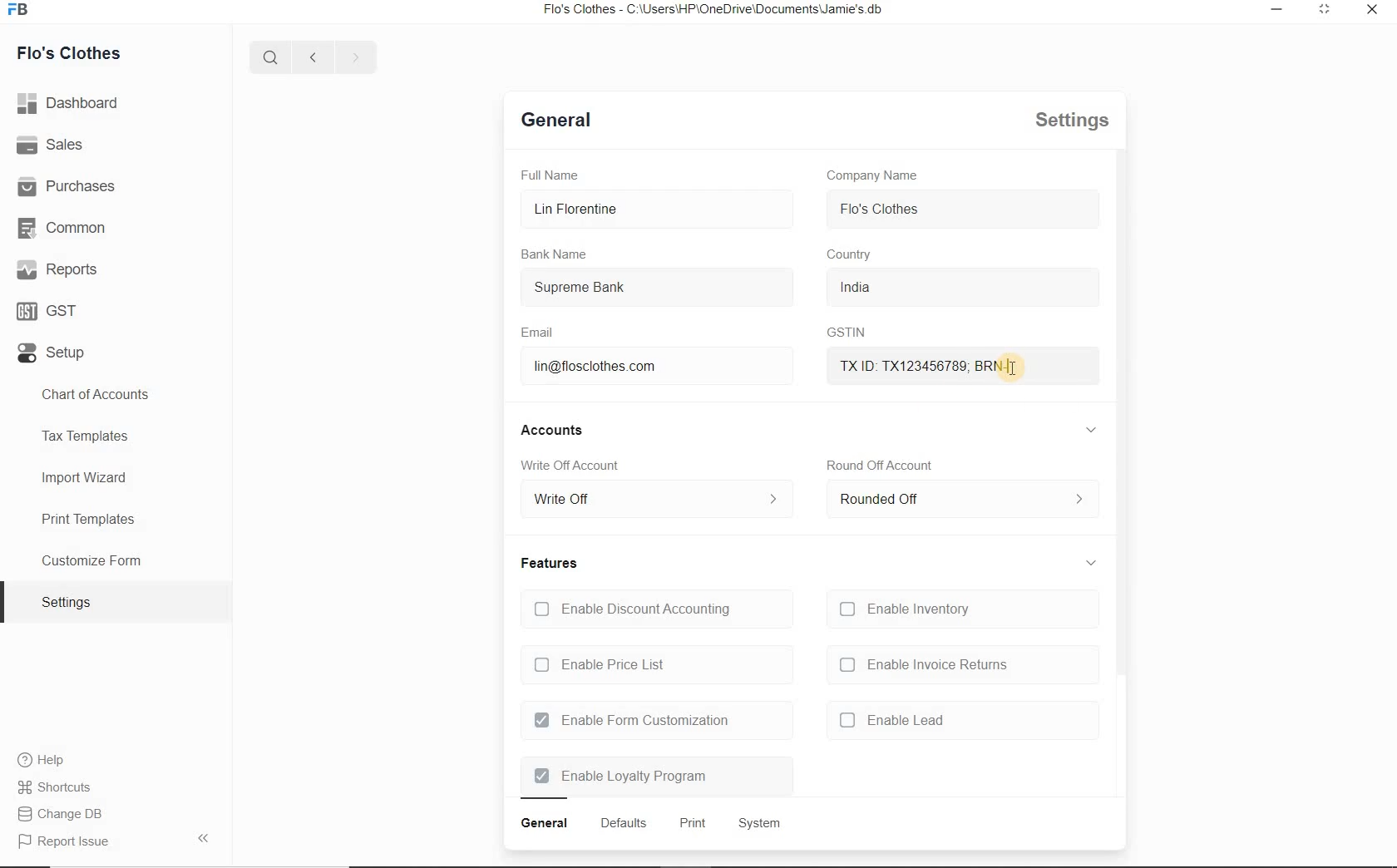 This screenshot has height=868, width=1397. Describe the element at coordinates (93, 559) in the screenshot. I see `Customize Form` at that location.